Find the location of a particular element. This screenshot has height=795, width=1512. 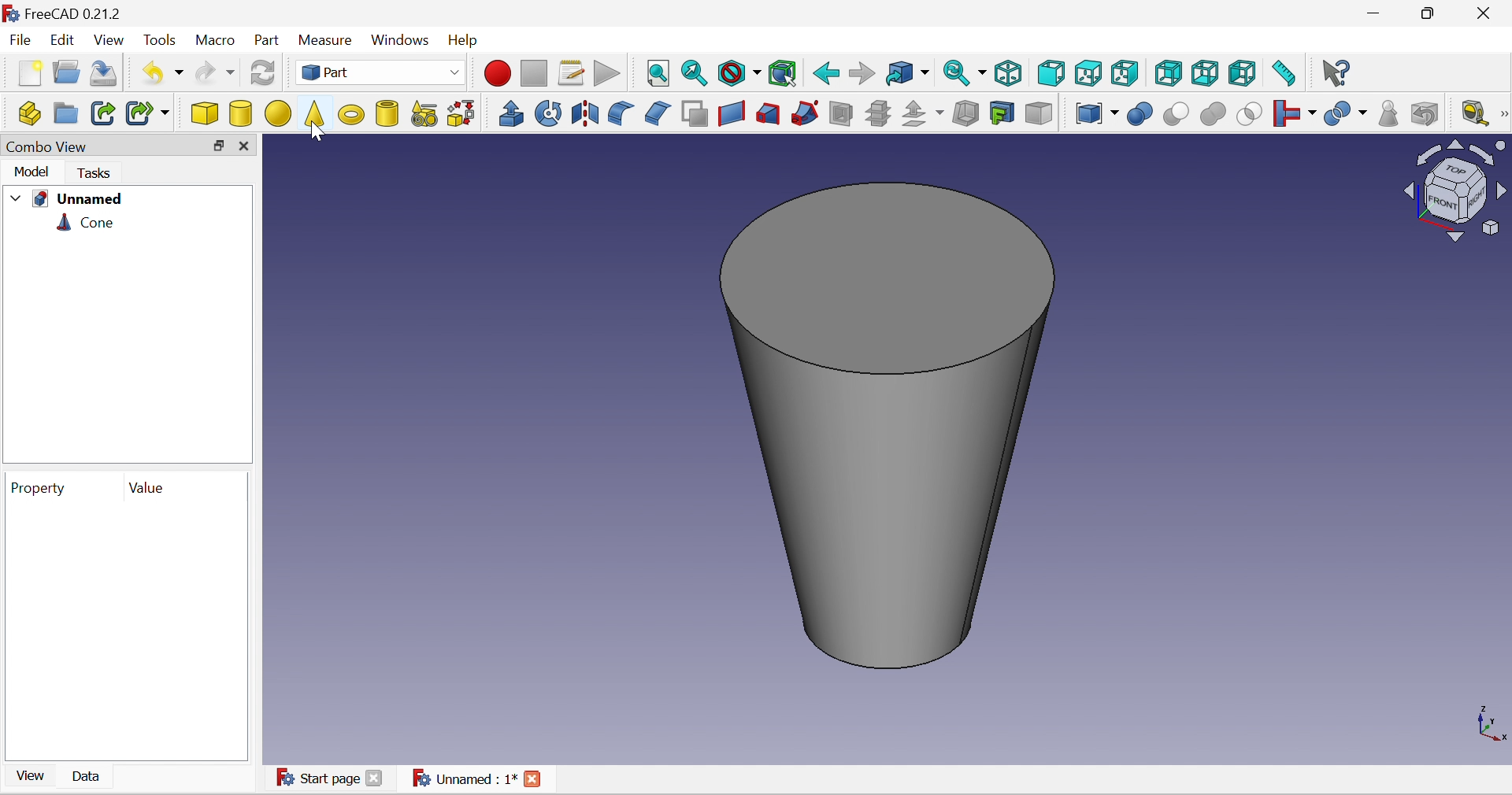

Tasks is located at coordinates (97, 175).